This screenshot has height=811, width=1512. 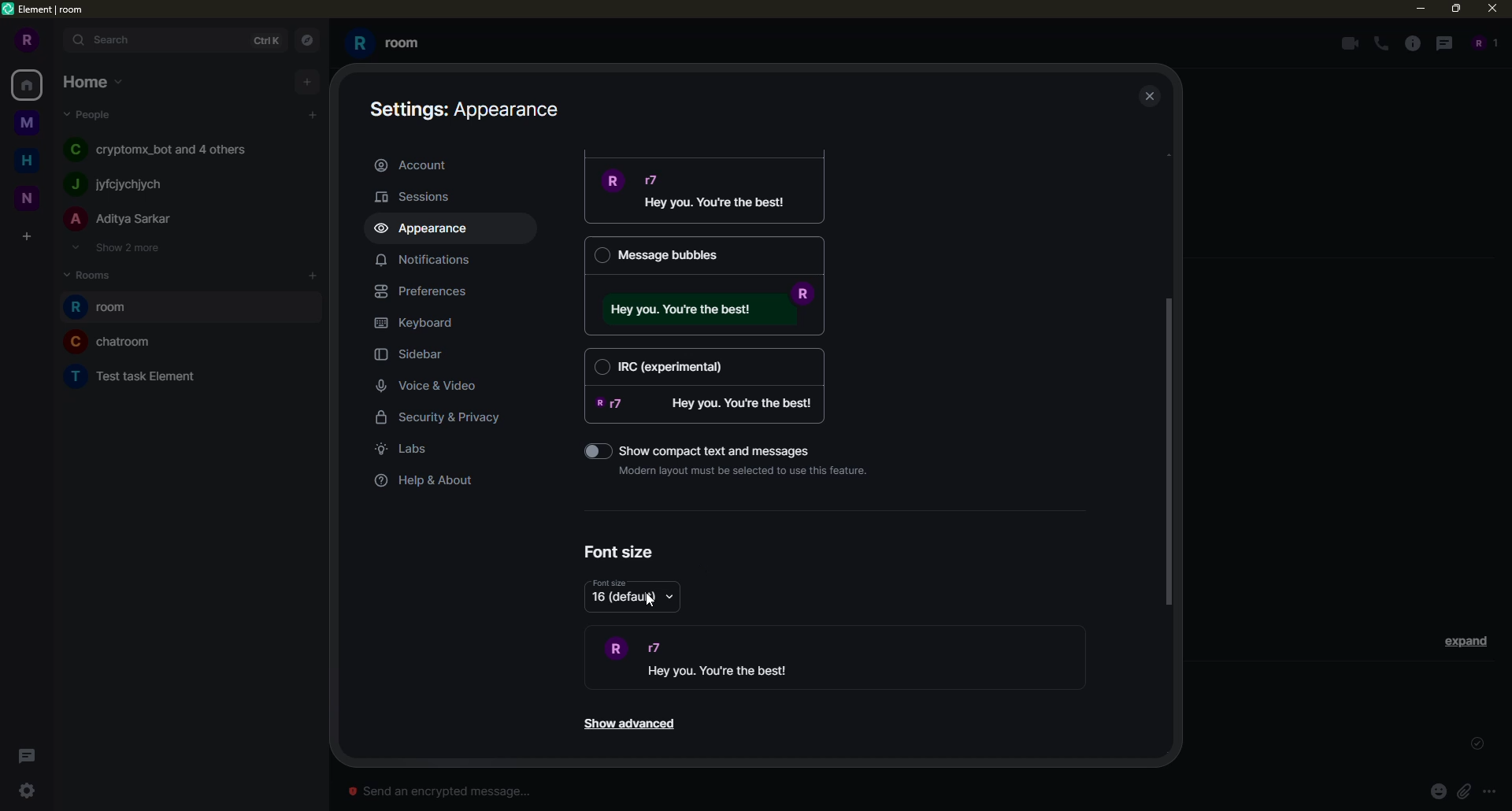 I want to click on account, so click(x=416, y=164).